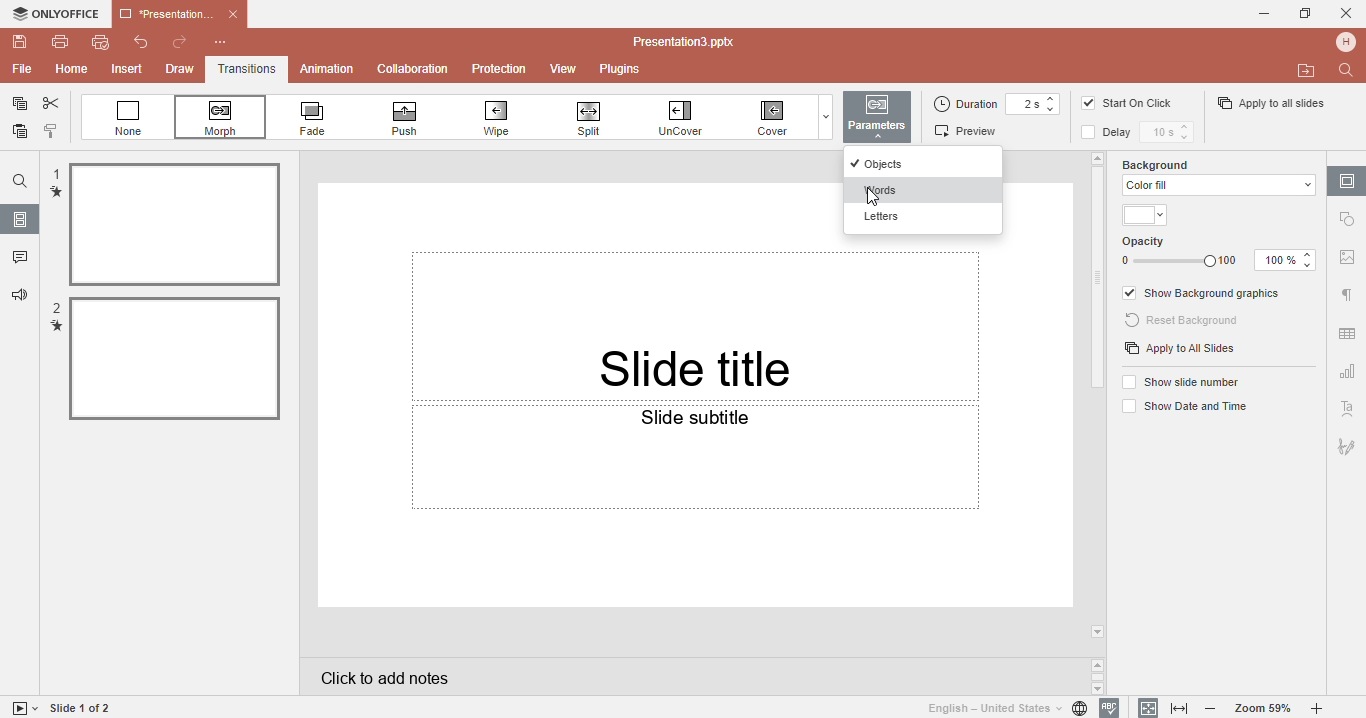 The width and height of the screenshot is (1366, 718). I want to click on Fit to slidee, so click(1144, 707).